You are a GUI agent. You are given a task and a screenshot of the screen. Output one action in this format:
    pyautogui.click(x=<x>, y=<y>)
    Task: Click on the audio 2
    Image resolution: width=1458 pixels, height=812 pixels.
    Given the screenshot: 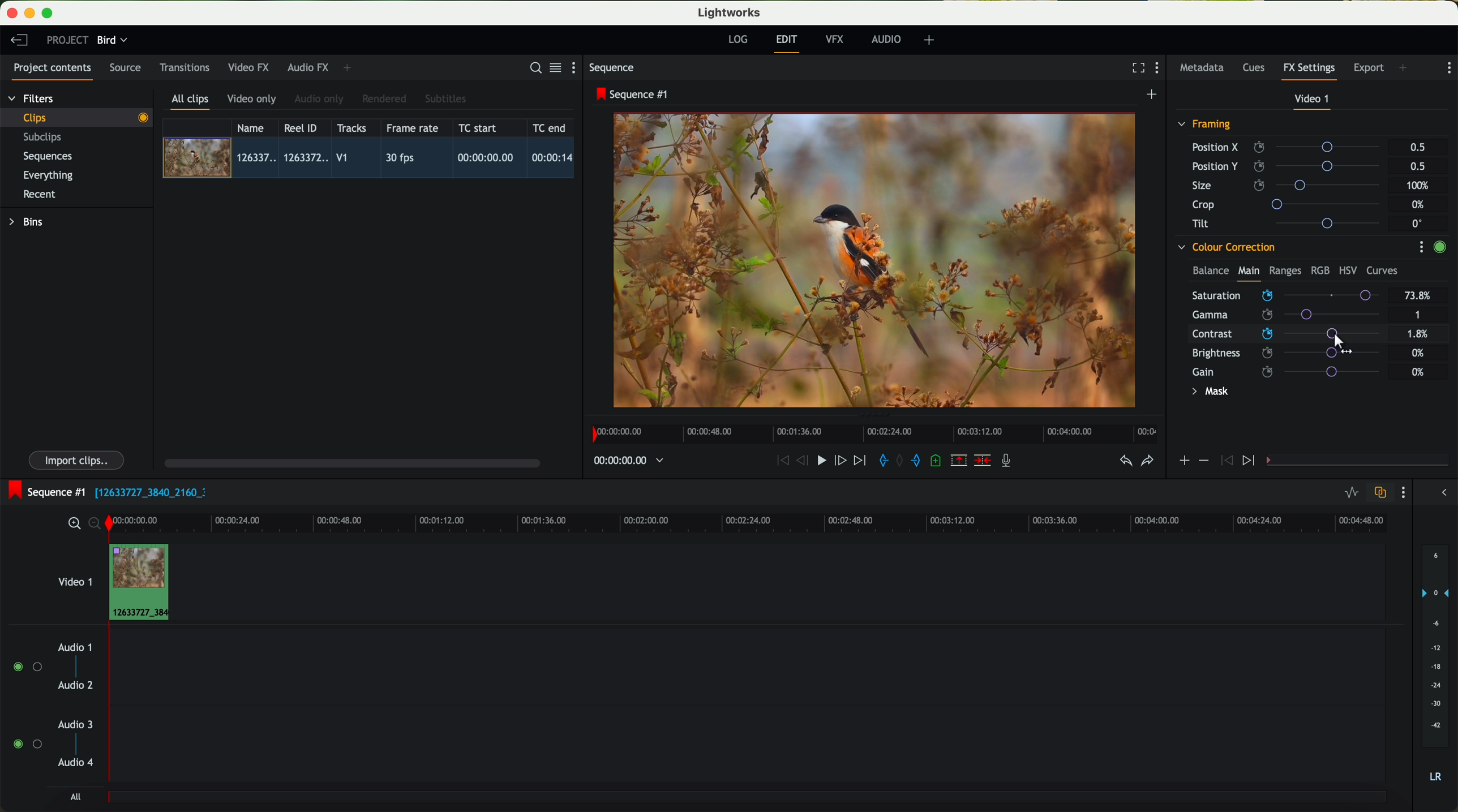 What is the action you would take?
    pyautogui.click(x=76, y=686)
    